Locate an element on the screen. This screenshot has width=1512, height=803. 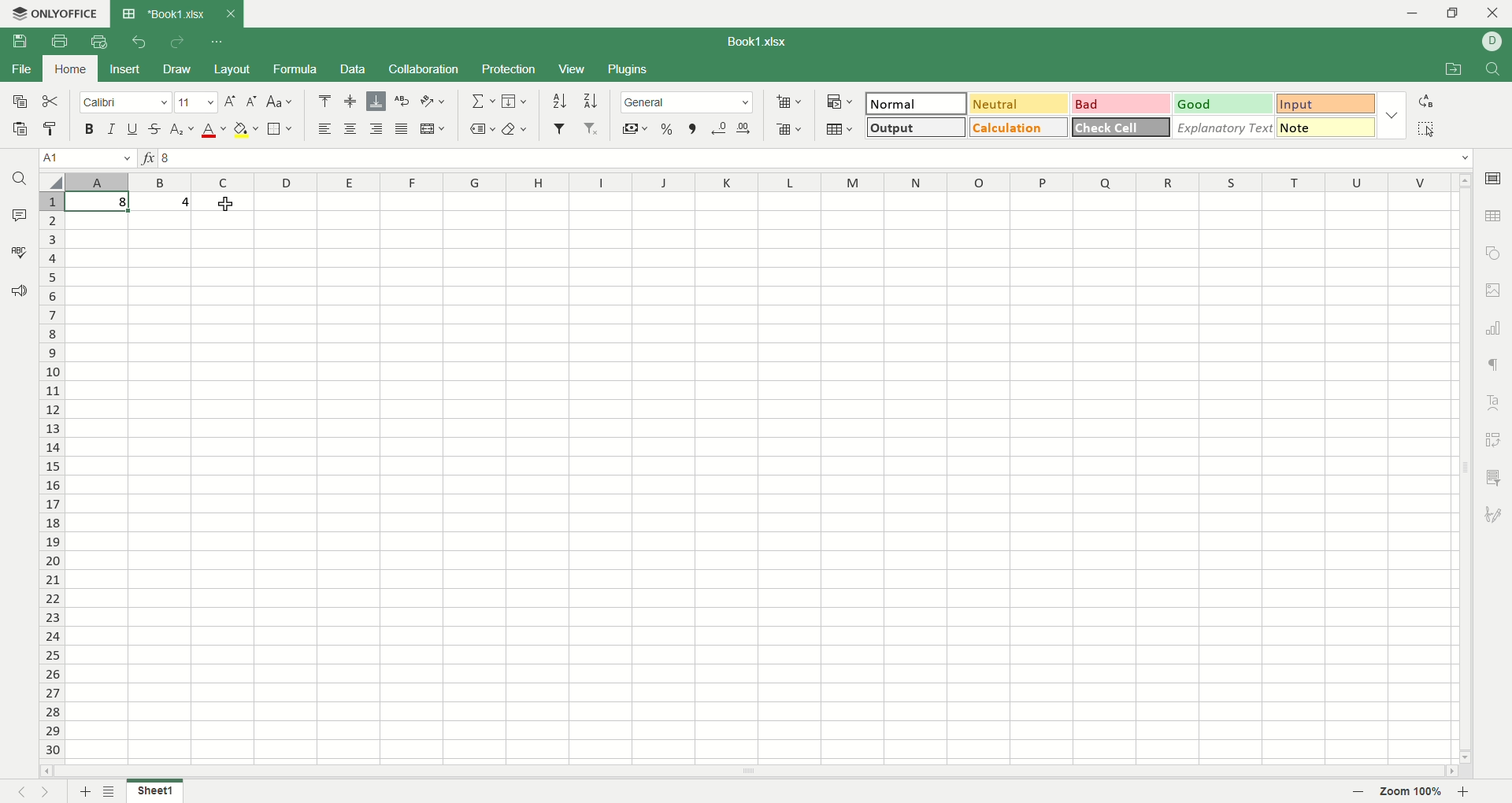
check cell is located at coordinates (1121, 128).